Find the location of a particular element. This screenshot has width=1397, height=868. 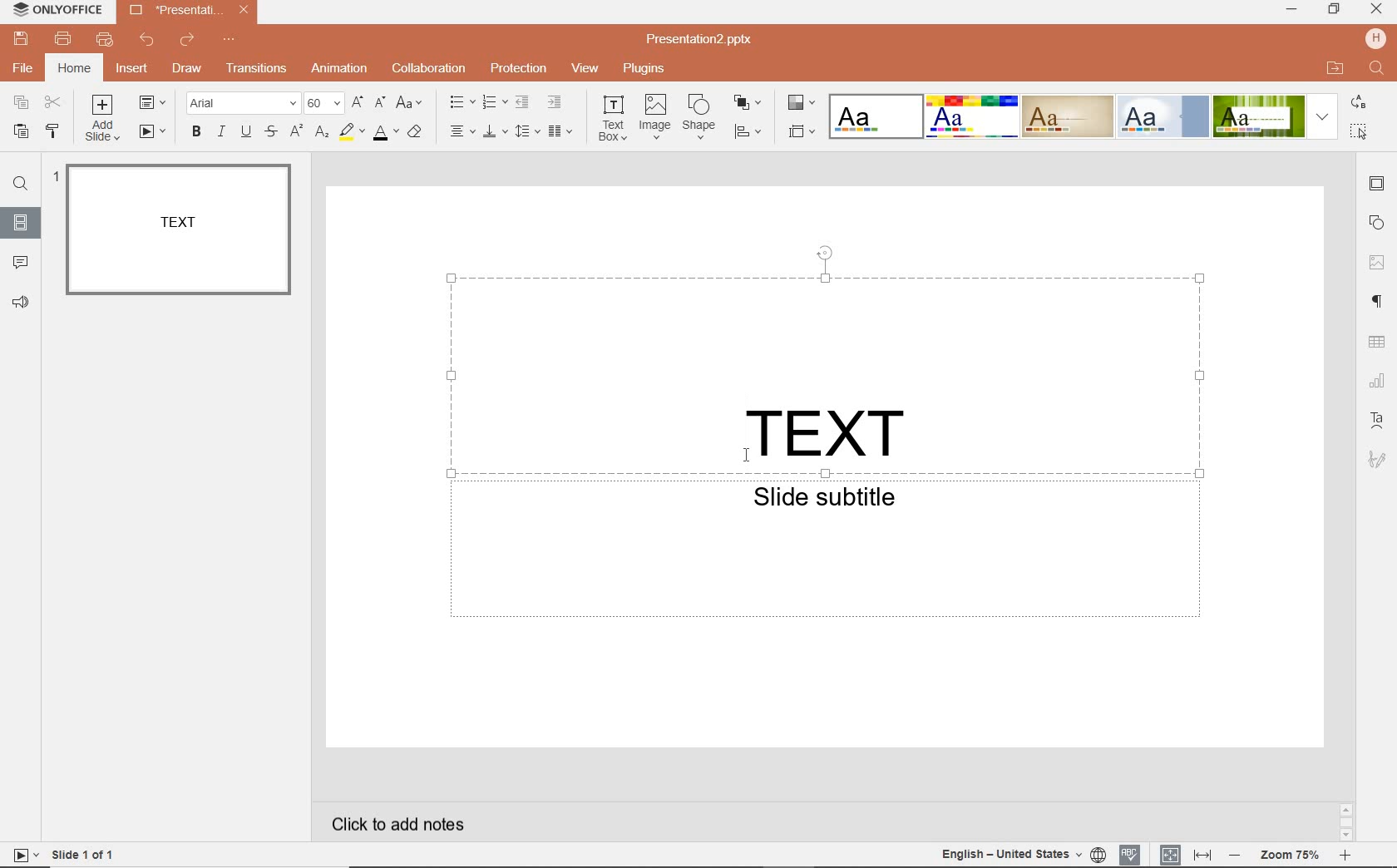

DECREMENT FONT SIZE is located at coordinates (381, 104).